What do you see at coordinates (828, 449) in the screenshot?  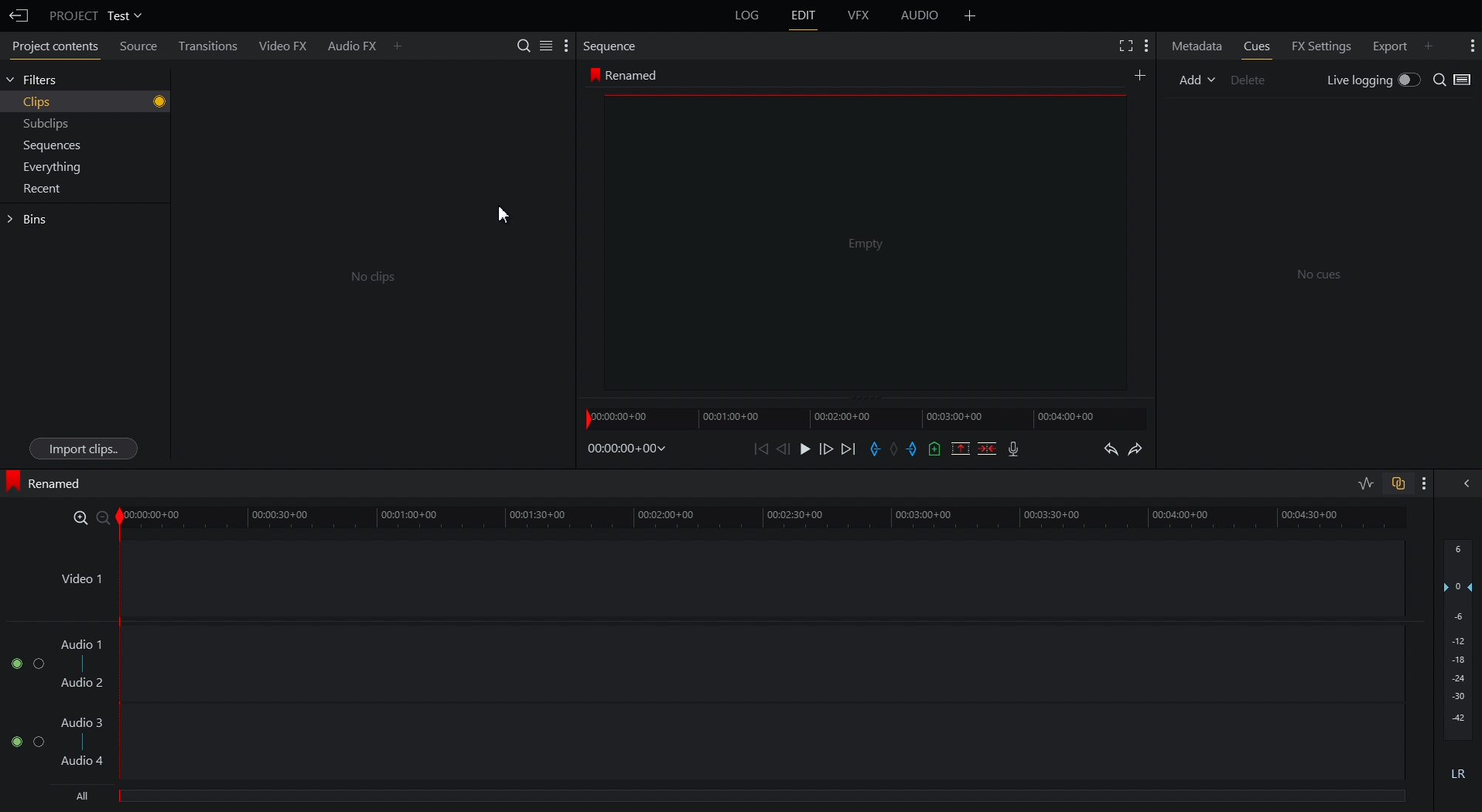 I see `Move Forward` at bounding box center [828, 449].